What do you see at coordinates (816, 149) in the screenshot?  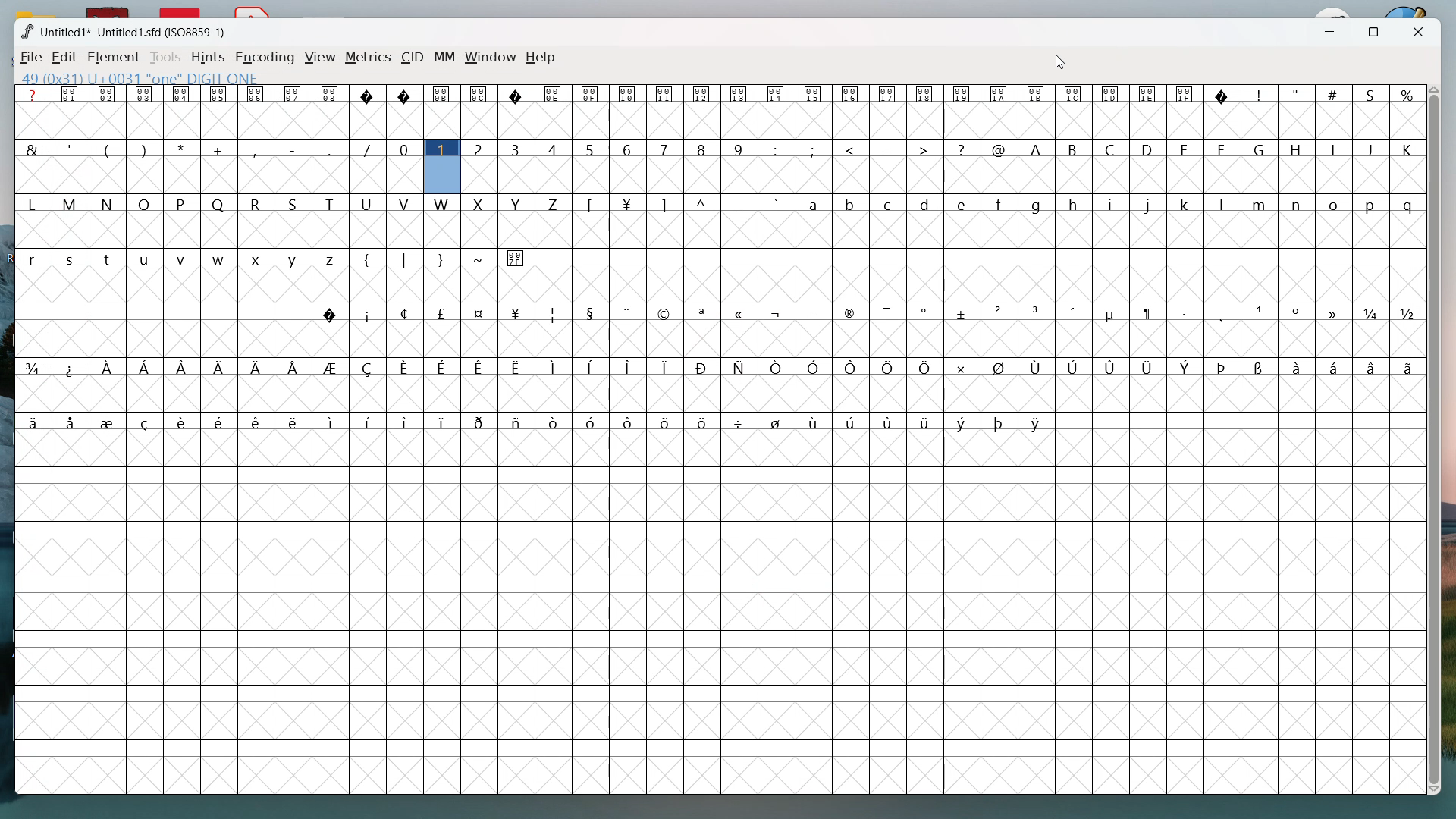 I see `;` at bounding box center [816, 149].